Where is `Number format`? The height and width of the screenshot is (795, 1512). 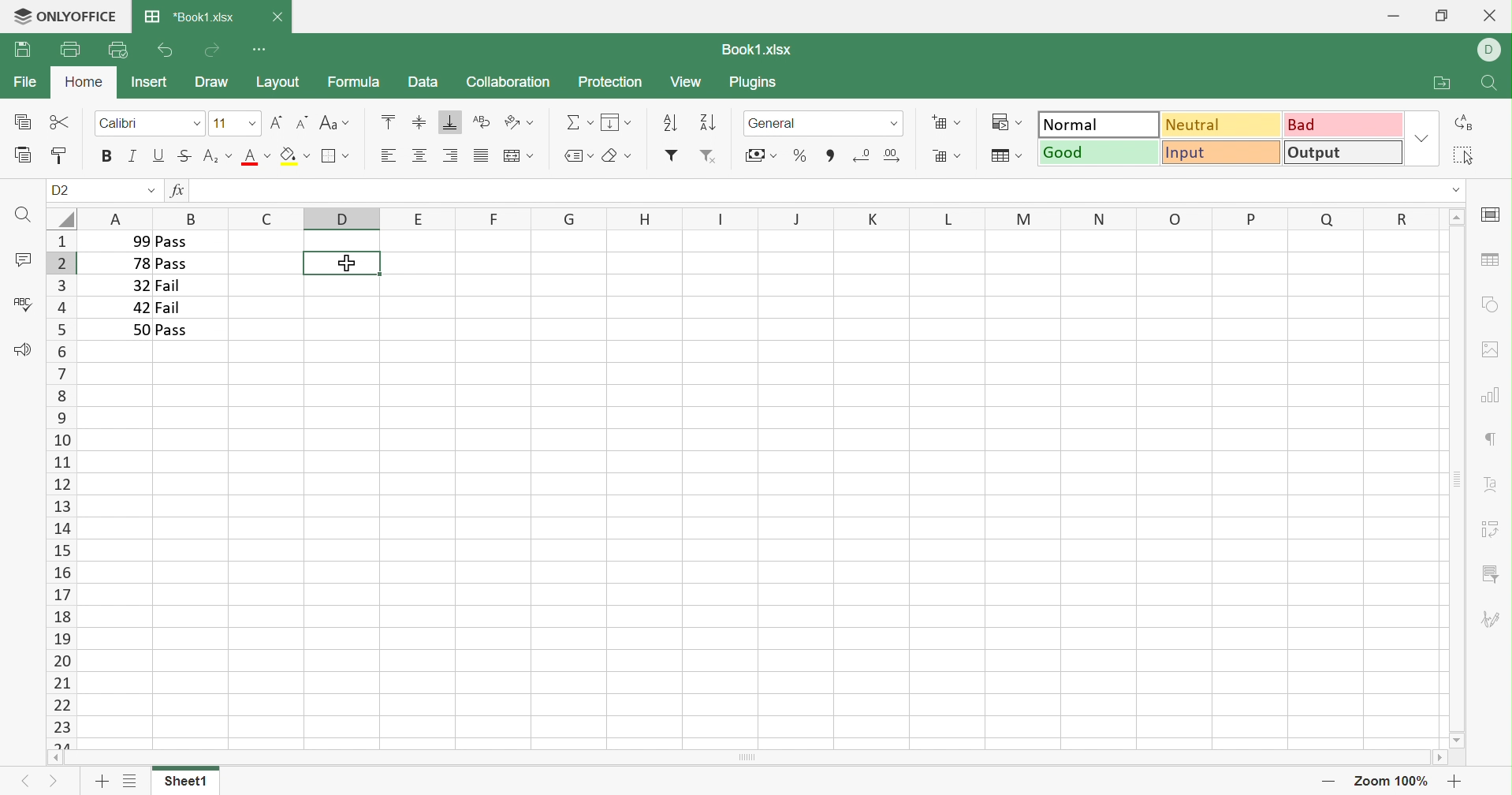
Number format is located at coordinates (822, 123).